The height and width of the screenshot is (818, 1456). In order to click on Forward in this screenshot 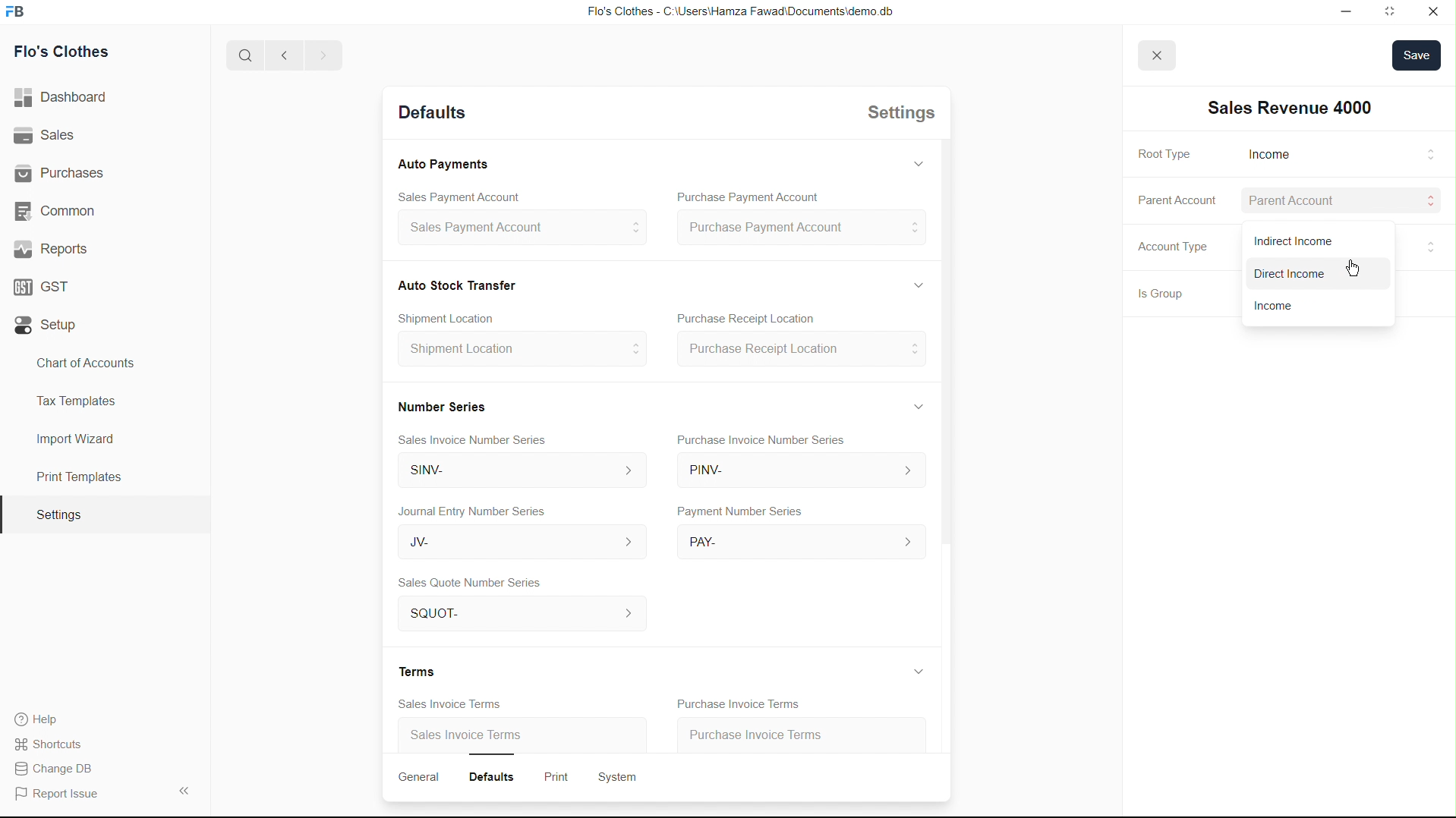, I will do `click(323, 55)`.